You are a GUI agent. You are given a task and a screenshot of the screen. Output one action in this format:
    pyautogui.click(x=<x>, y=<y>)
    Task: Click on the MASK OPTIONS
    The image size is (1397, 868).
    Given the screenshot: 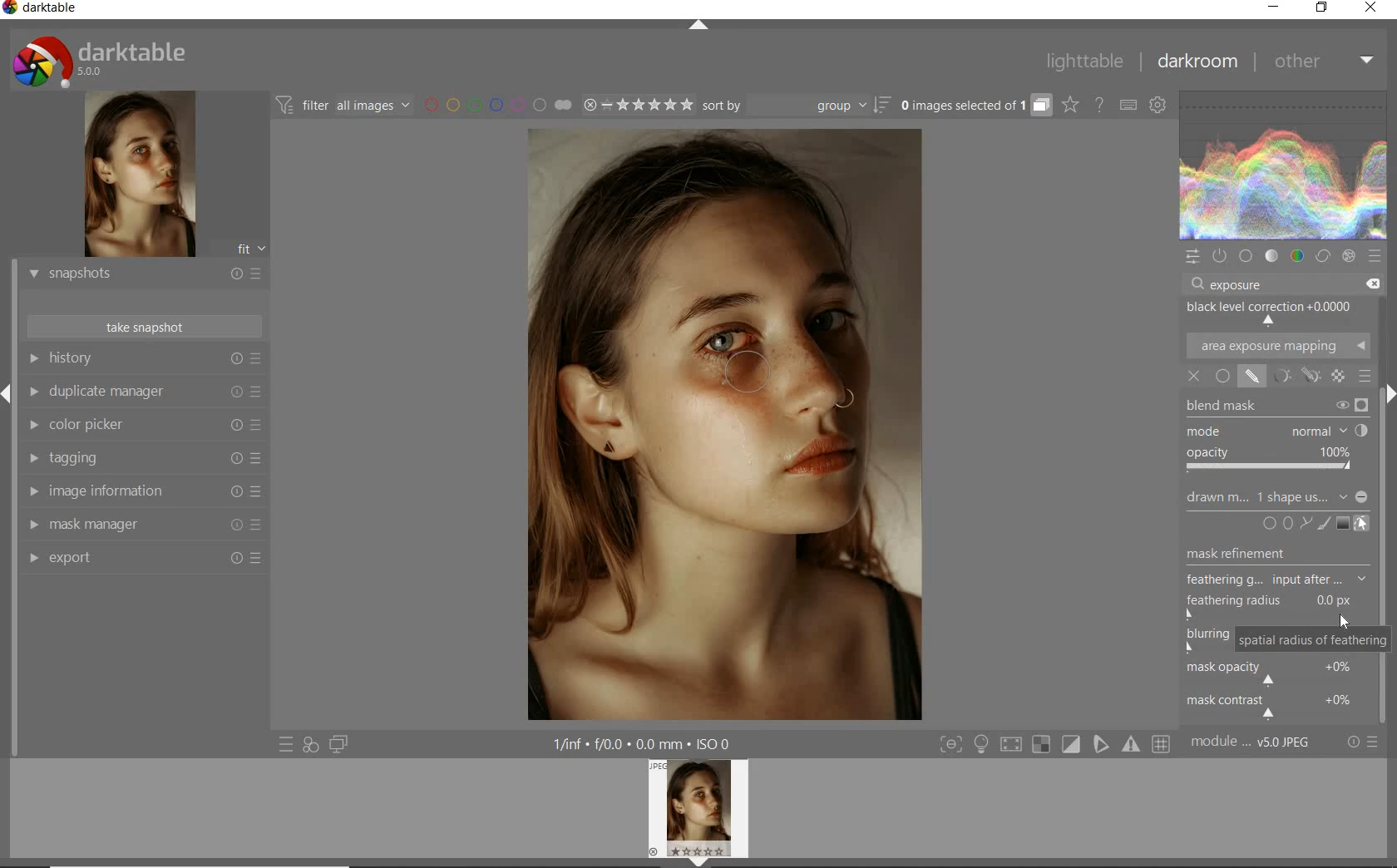 What is the action you would take?
    pyautogui.click(x=1311, y=377)
    